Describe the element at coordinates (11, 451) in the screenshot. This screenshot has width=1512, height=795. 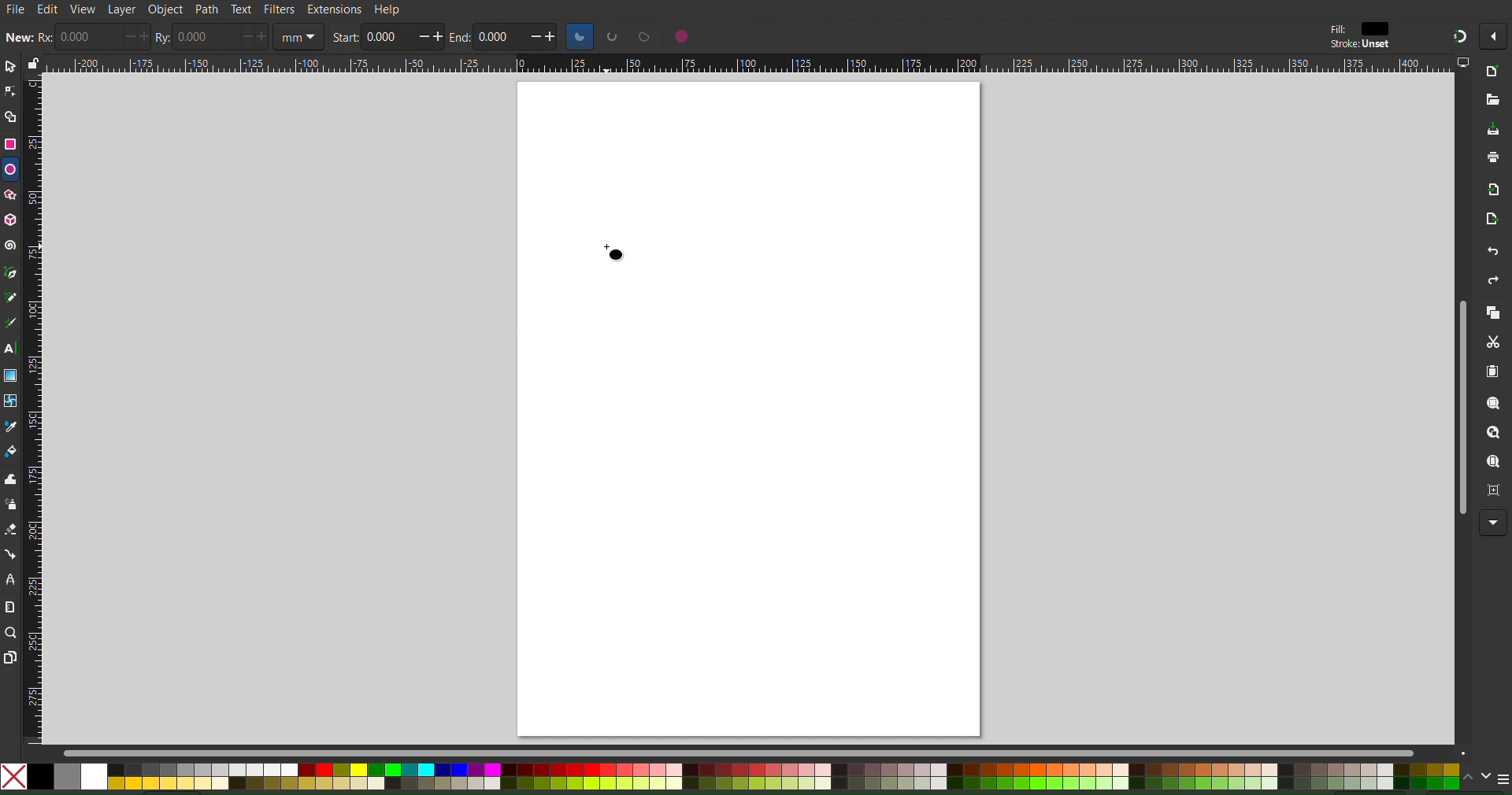
I see `Color Fill` at that location.